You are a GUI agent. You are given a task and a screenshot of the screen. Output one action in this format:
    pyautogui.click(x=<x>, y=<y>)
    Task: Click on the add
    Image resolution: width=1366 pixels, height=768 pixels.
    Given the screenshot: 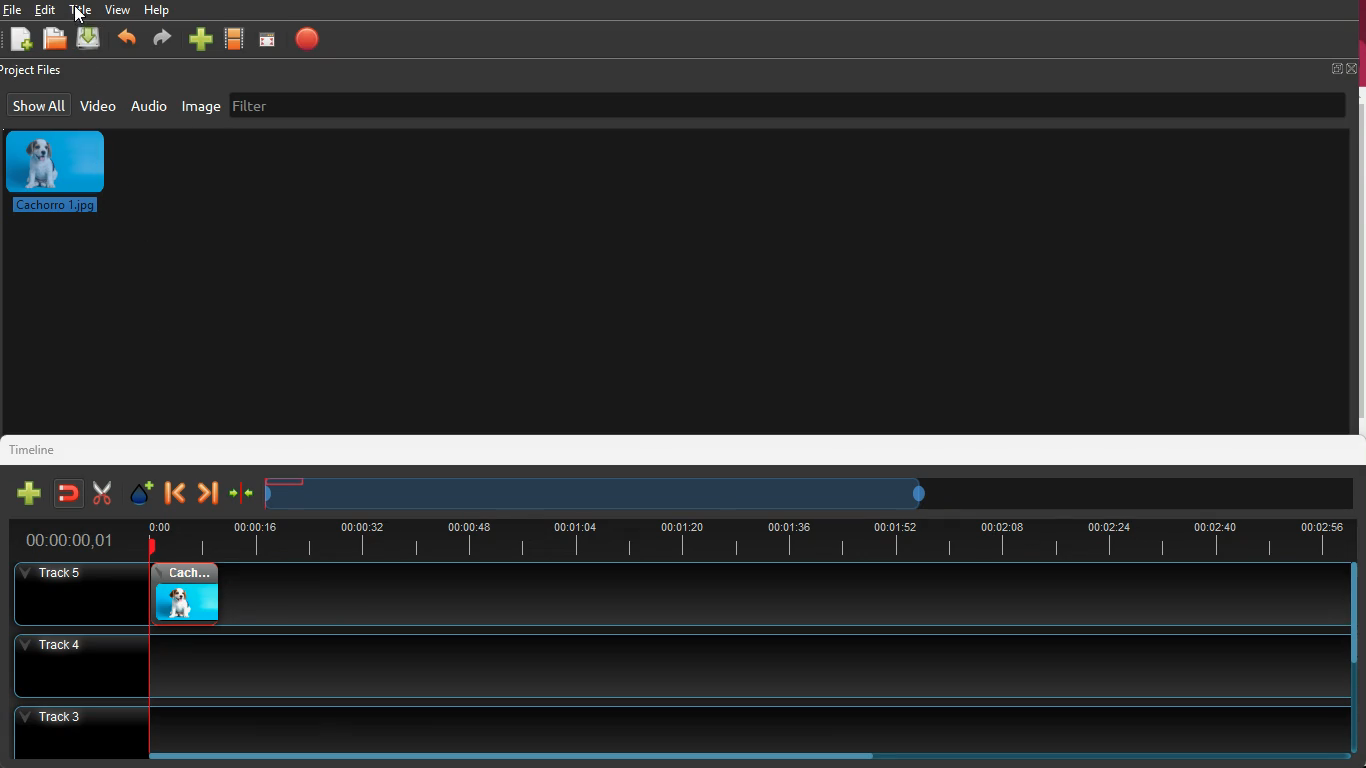 What is the action you would take?
    pyautogui.click(x=20, y=41)
    